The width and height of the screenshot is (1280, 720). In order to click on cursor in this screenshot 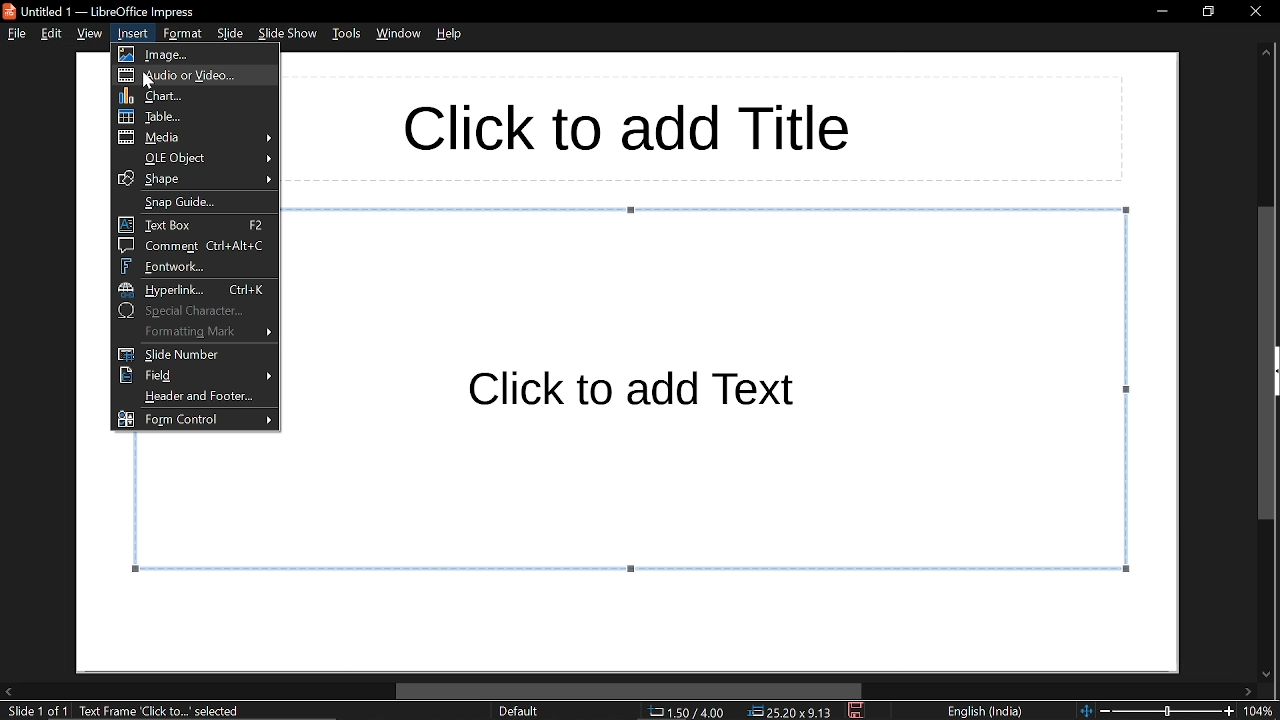, I will do `click(149, 82)`.